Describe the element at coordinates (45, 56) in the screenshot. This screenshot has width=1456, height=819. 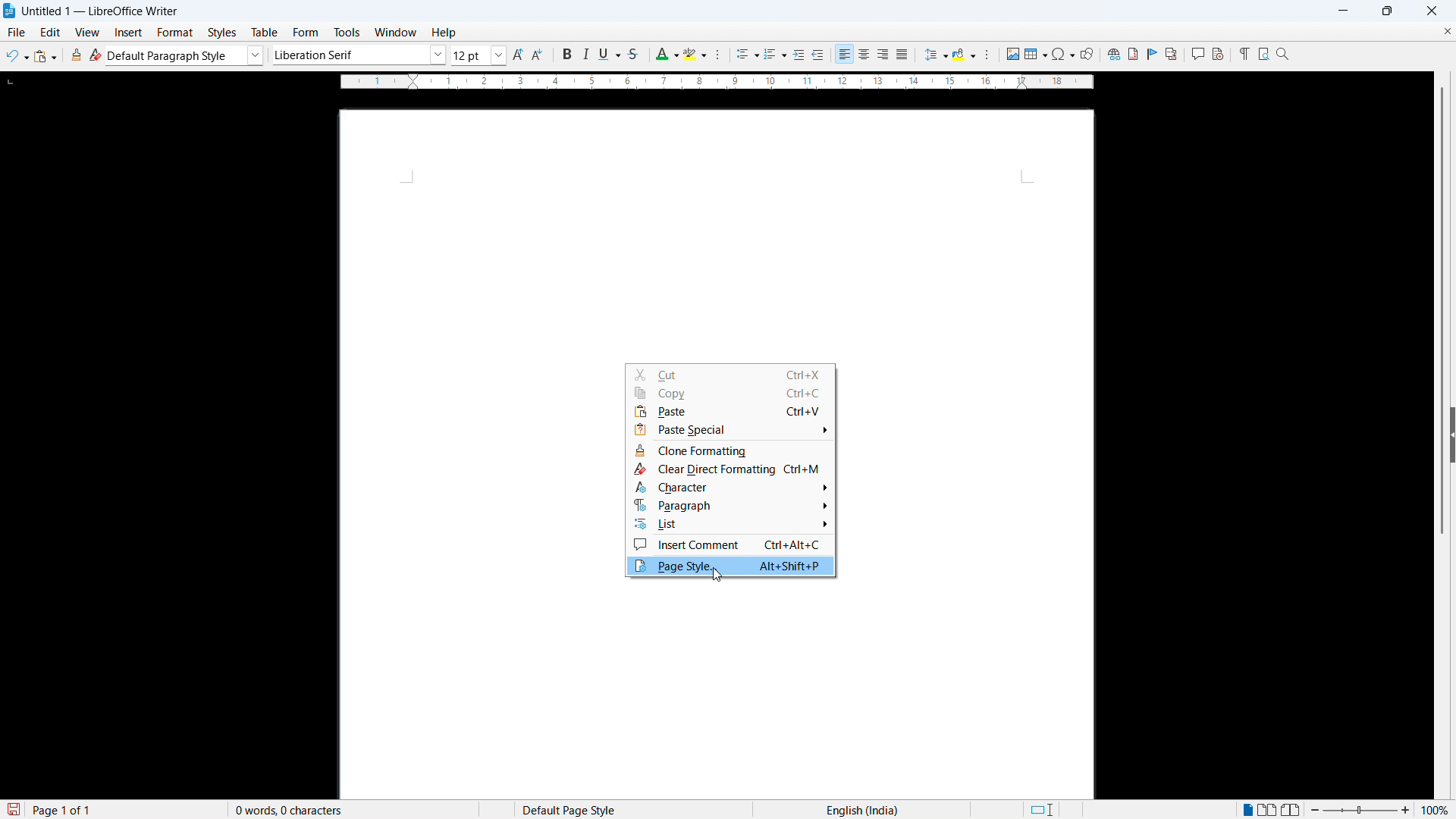
I see `Paste ` at that location.